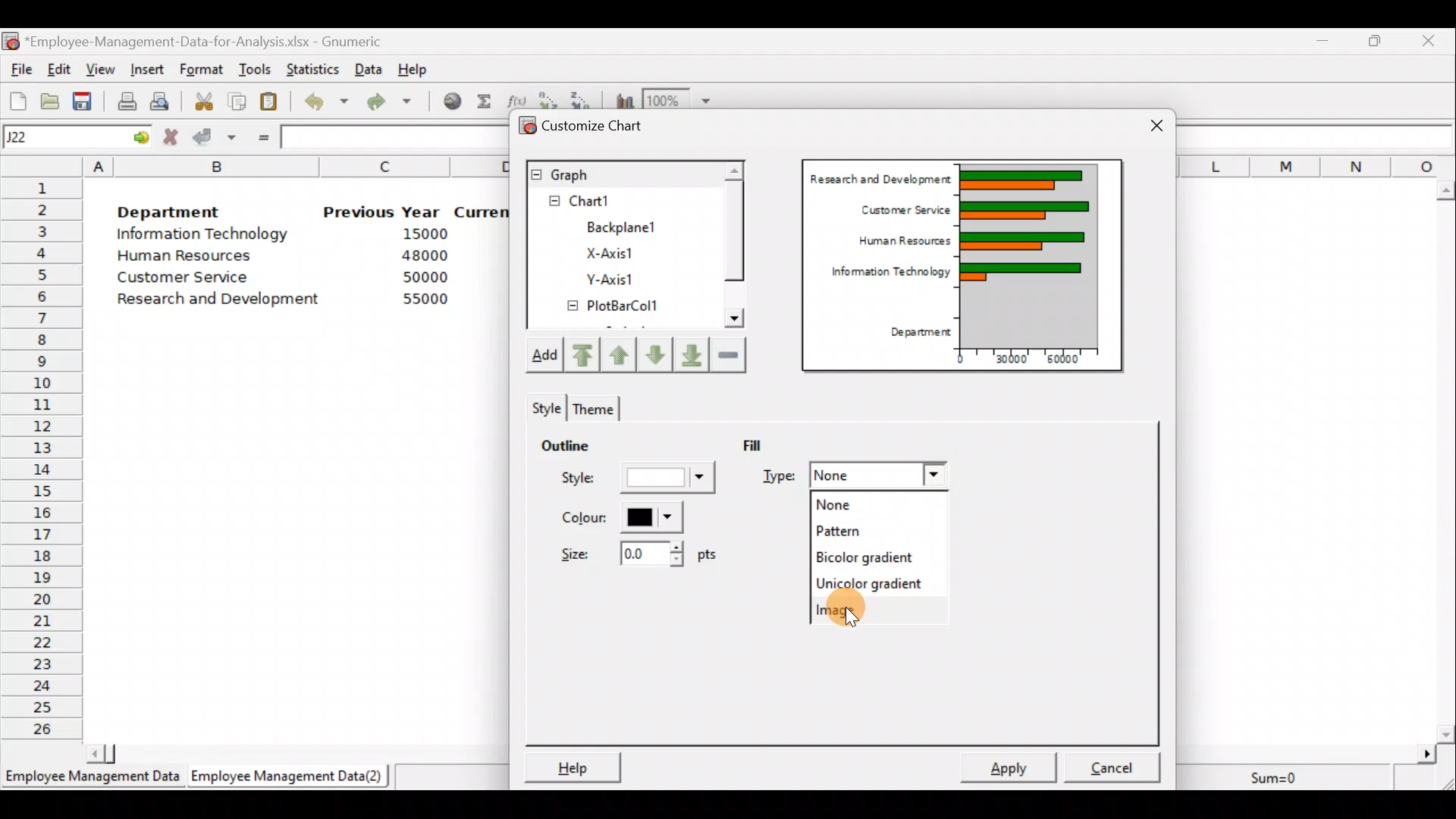 The width and height of the screenshot is (1456, 819). What do you see at coordinates (422, 277) in the screenshot?
I see `50000` at bounding box center [422, 277].